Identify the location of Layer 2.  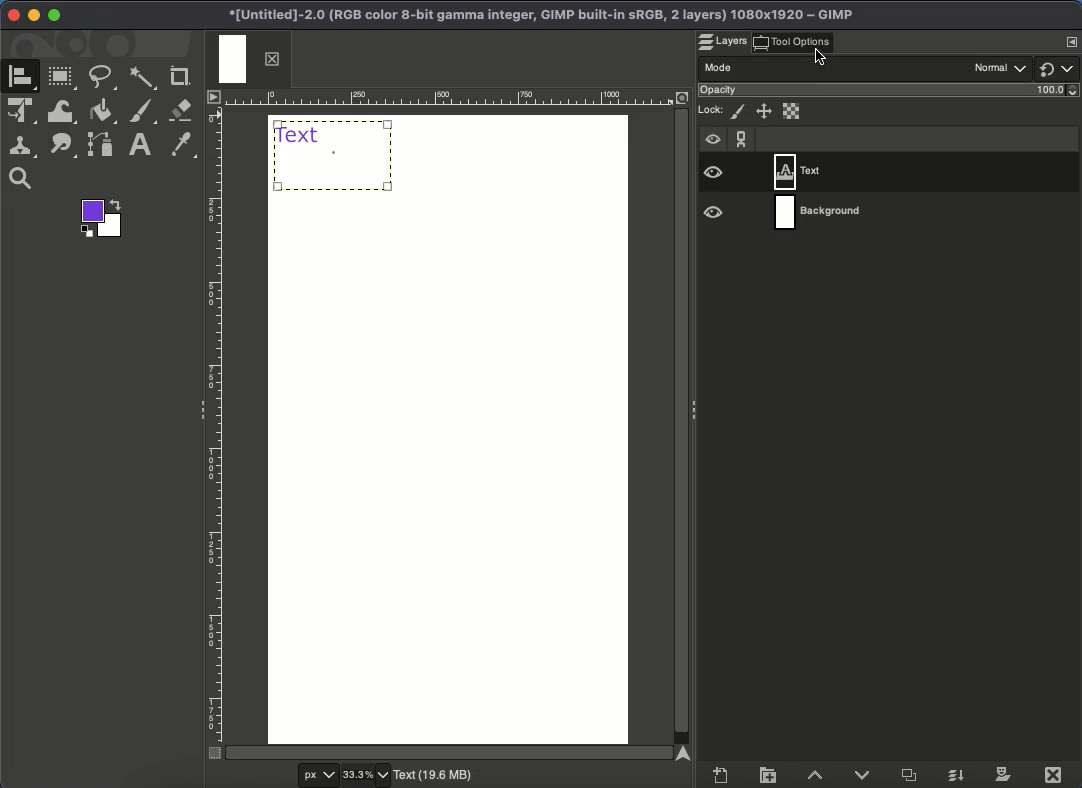
(927, 212).